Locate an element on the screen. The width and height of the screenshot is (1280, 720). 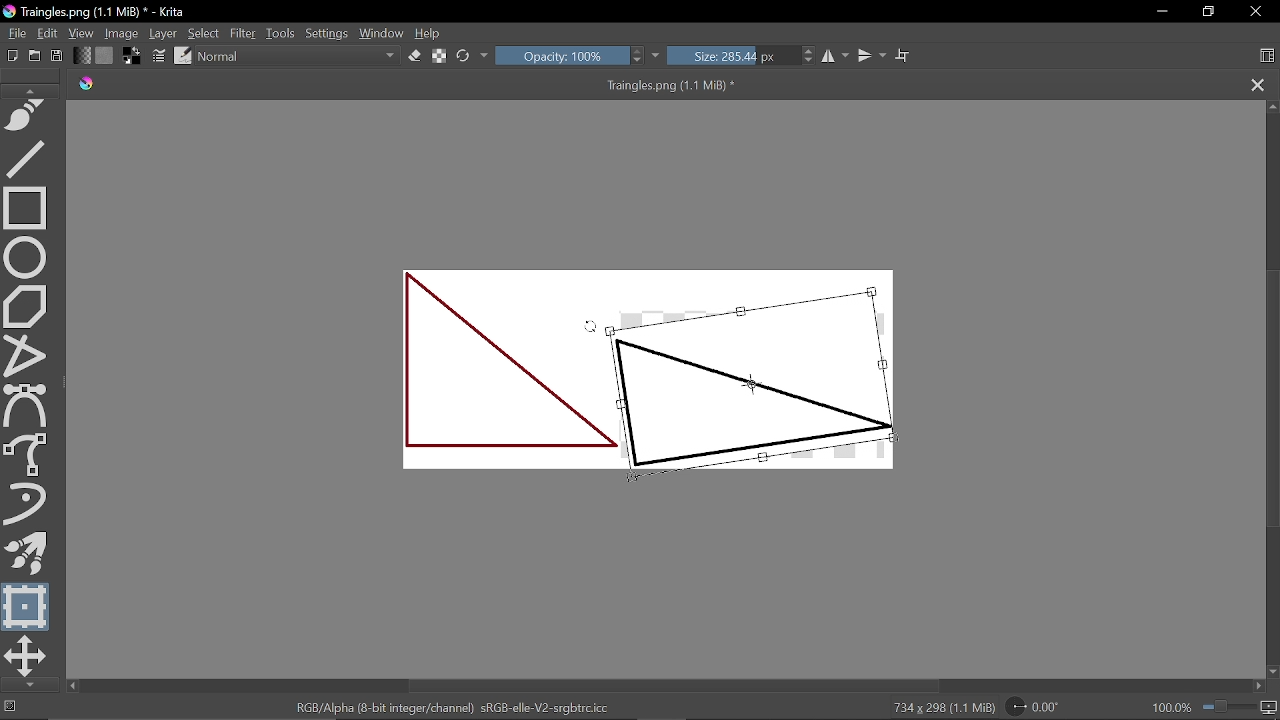
Window is located at coordinates (381, 34).